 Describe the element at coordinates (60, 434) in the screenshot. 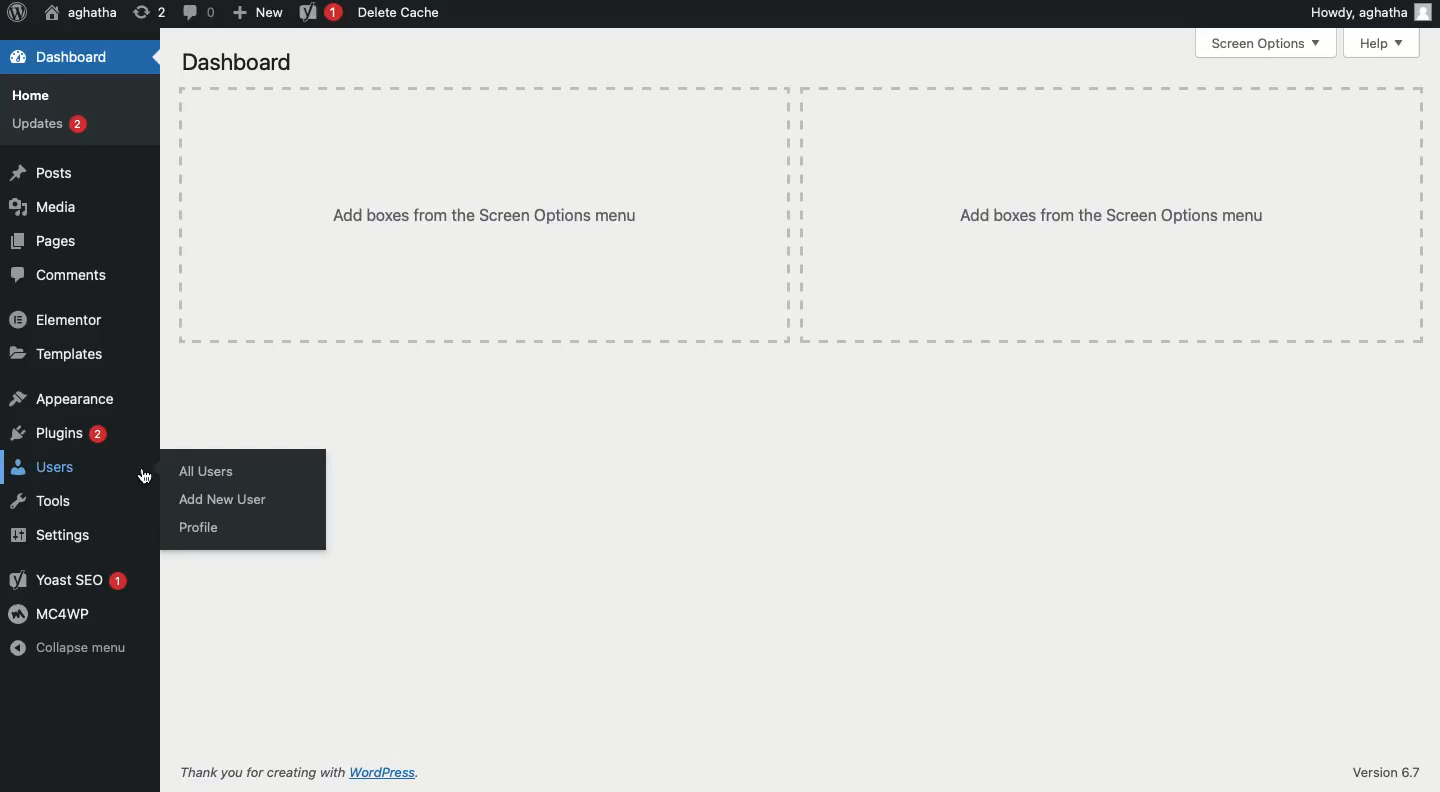

I see `Plugins` at that location.